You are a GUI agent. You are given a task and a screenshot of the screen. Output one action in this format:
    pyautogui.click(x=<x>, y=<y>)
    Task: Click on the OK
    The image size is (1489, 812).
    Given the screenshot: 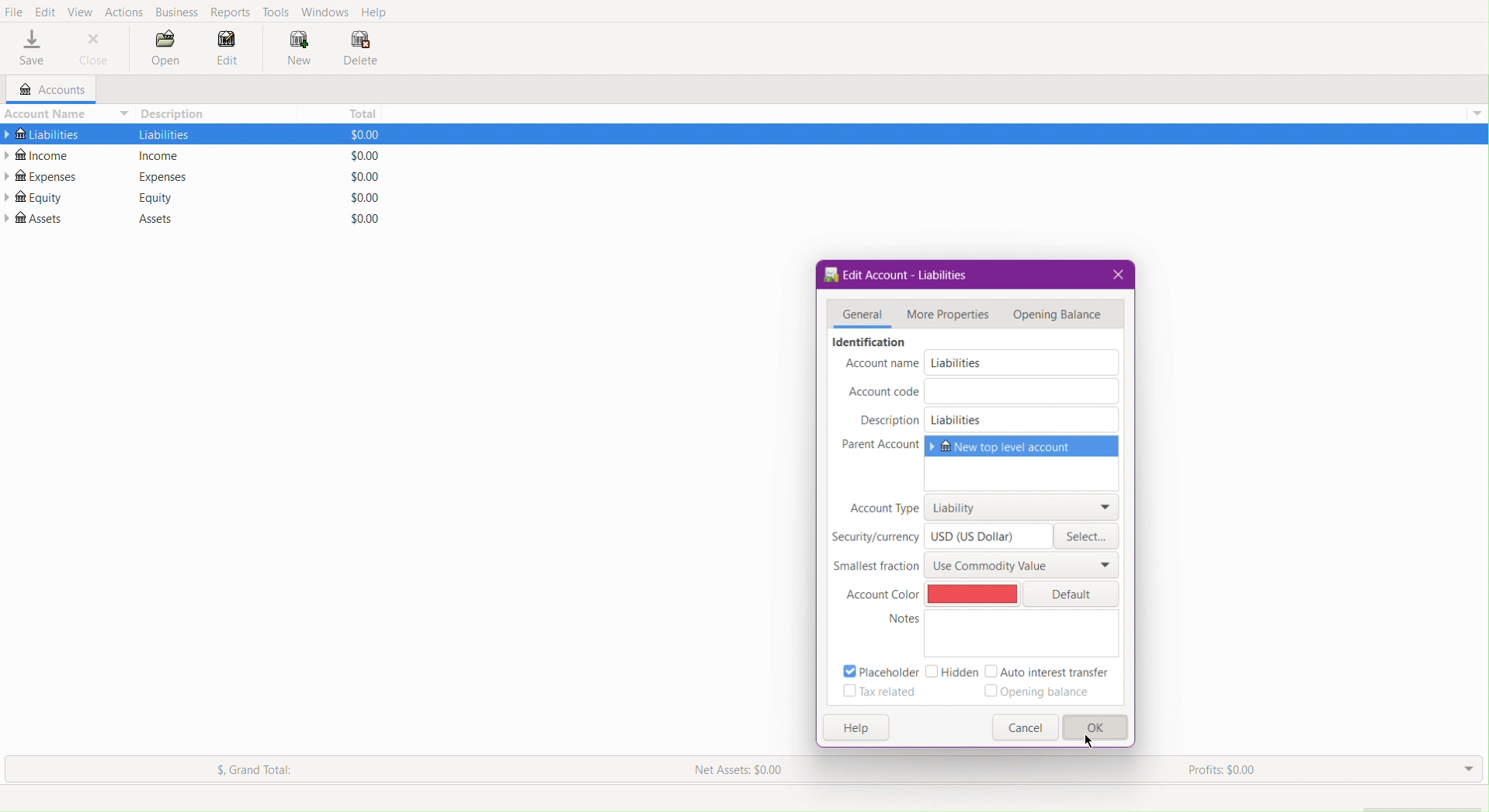 What is the action you would take?
    pyautogui.click(x=1095, y=730)
    